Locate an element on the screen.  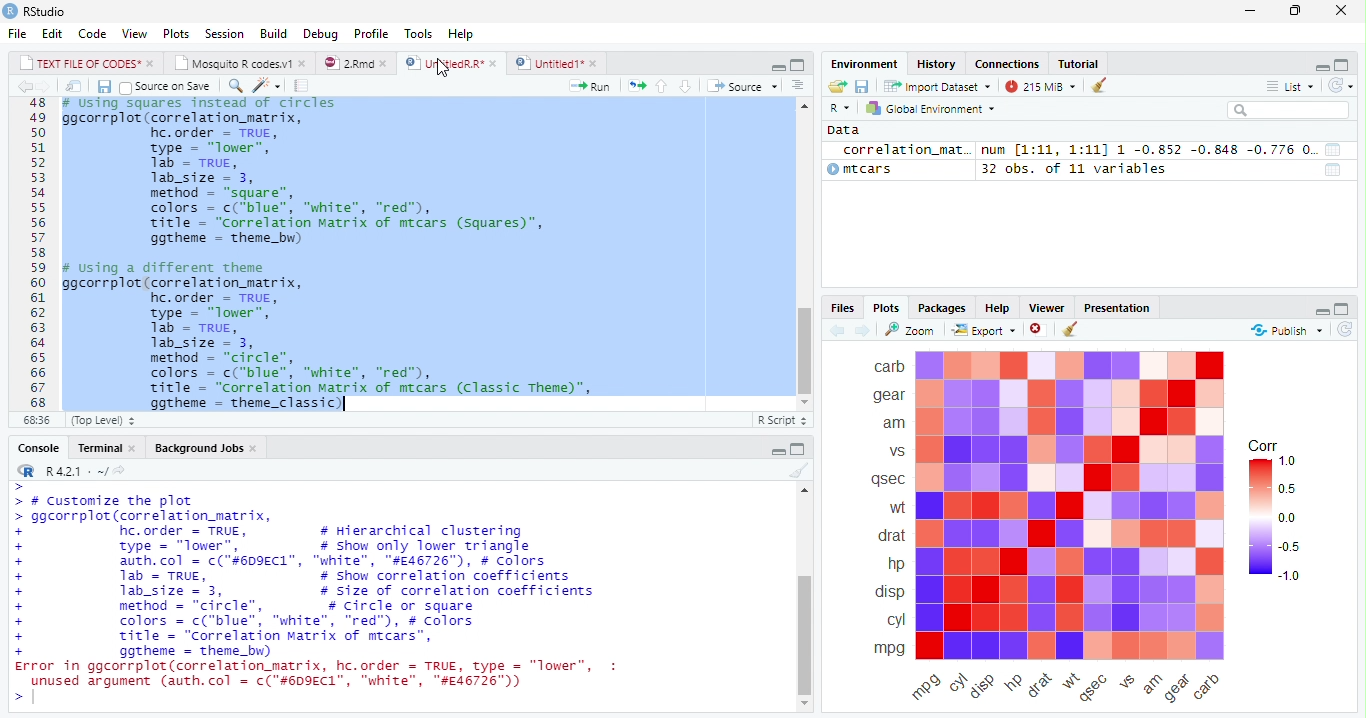
hide r script is located at coordinates (1322, 311).